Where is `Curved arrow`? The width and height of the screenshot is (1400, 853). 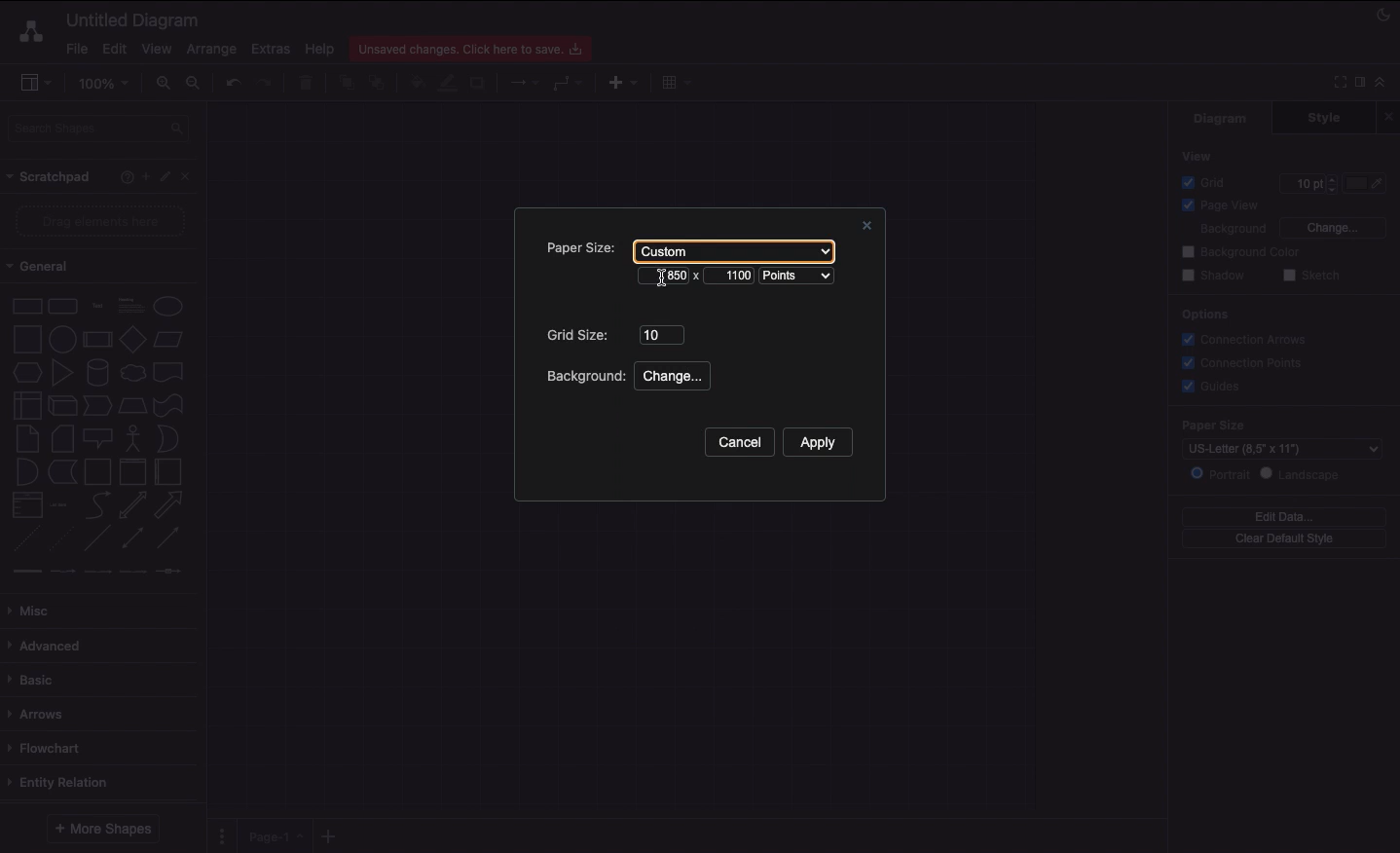 Curved arrow is located at coordinates (97, 503).